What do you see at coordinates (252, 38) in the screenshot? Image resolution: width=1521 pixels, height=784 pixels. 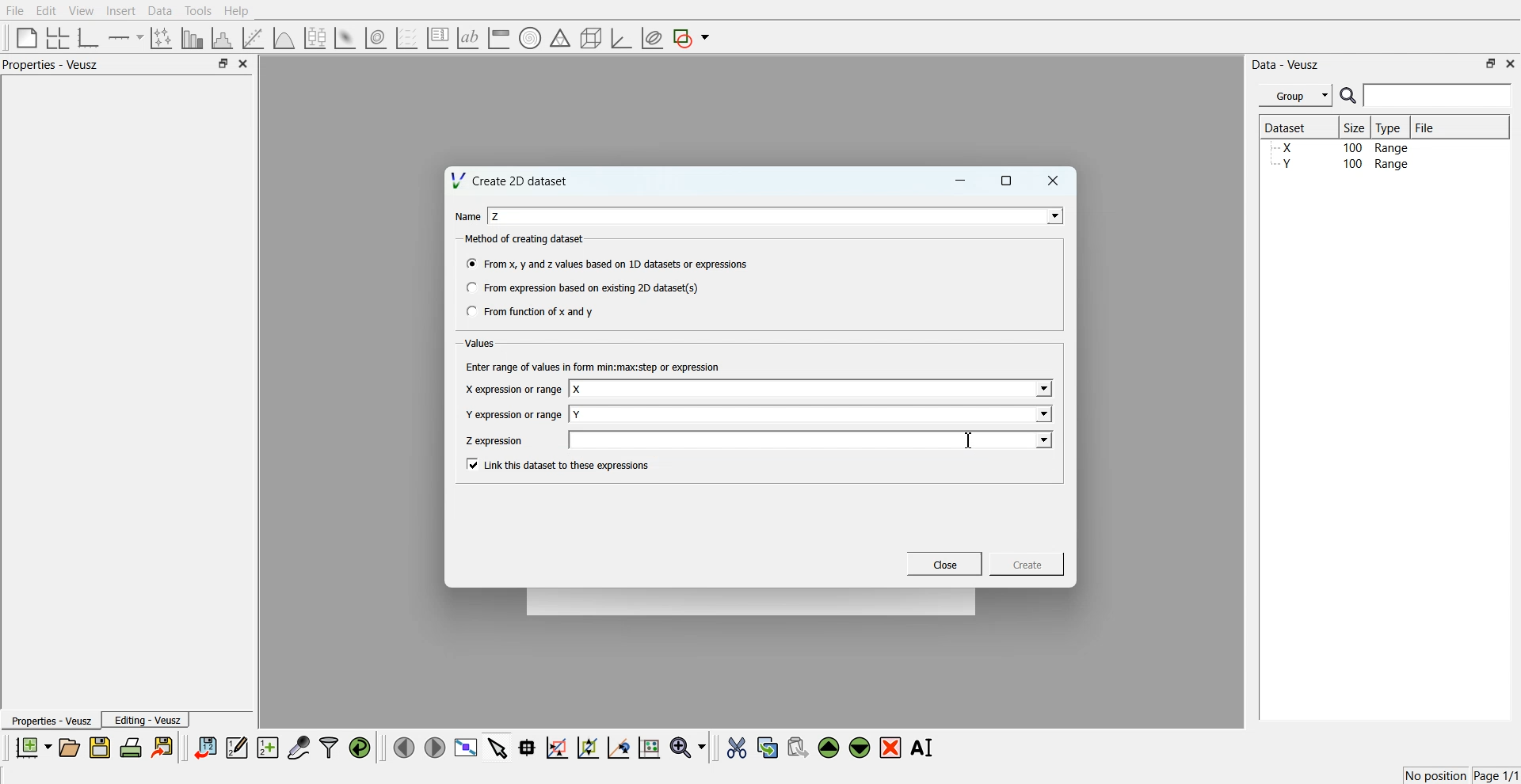 I see `Fit a function of data` at bounding box center [252, 38].